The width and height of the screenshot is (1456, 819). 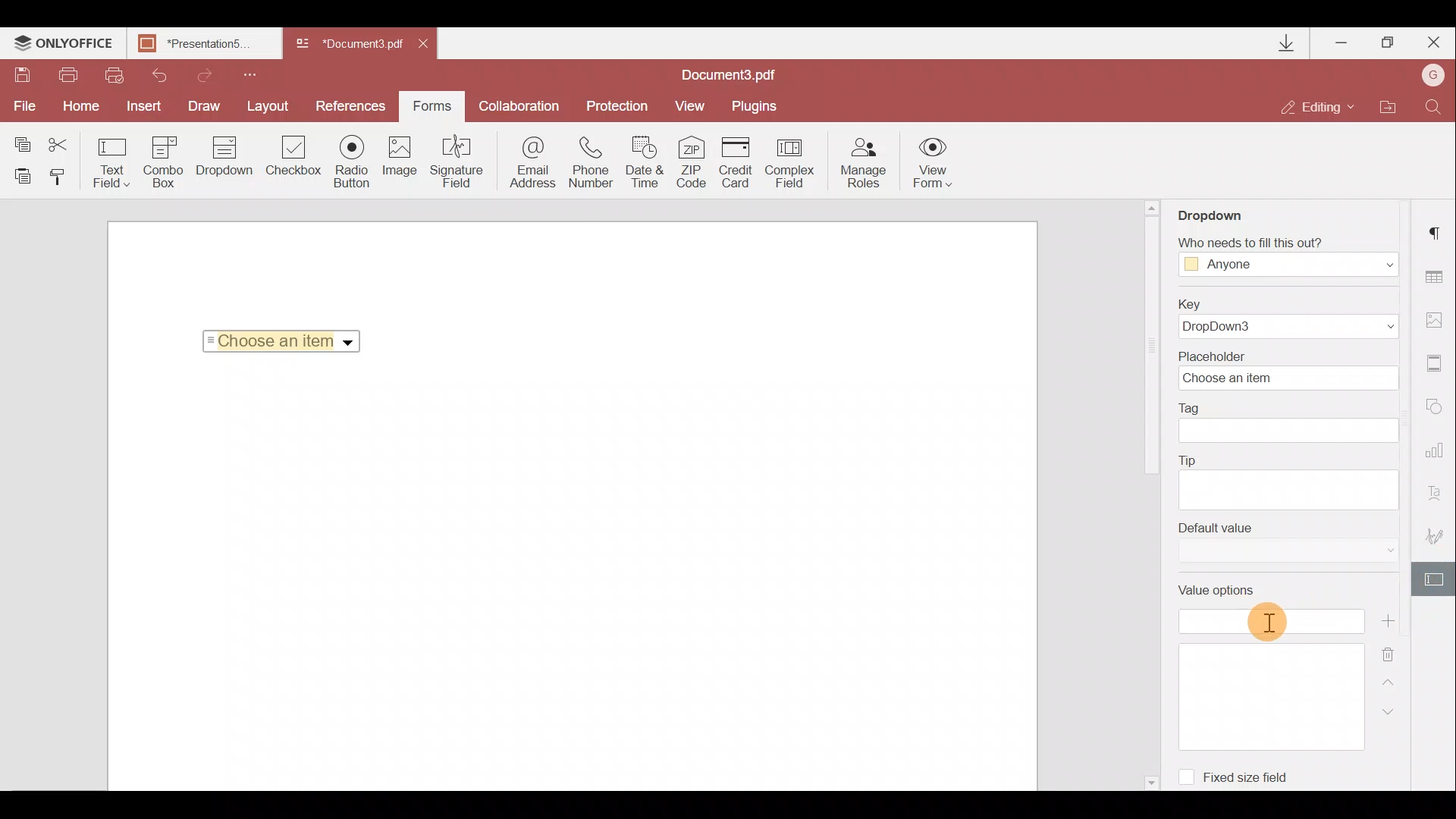 I want to click on Copy style, so click(x=63, y=180).